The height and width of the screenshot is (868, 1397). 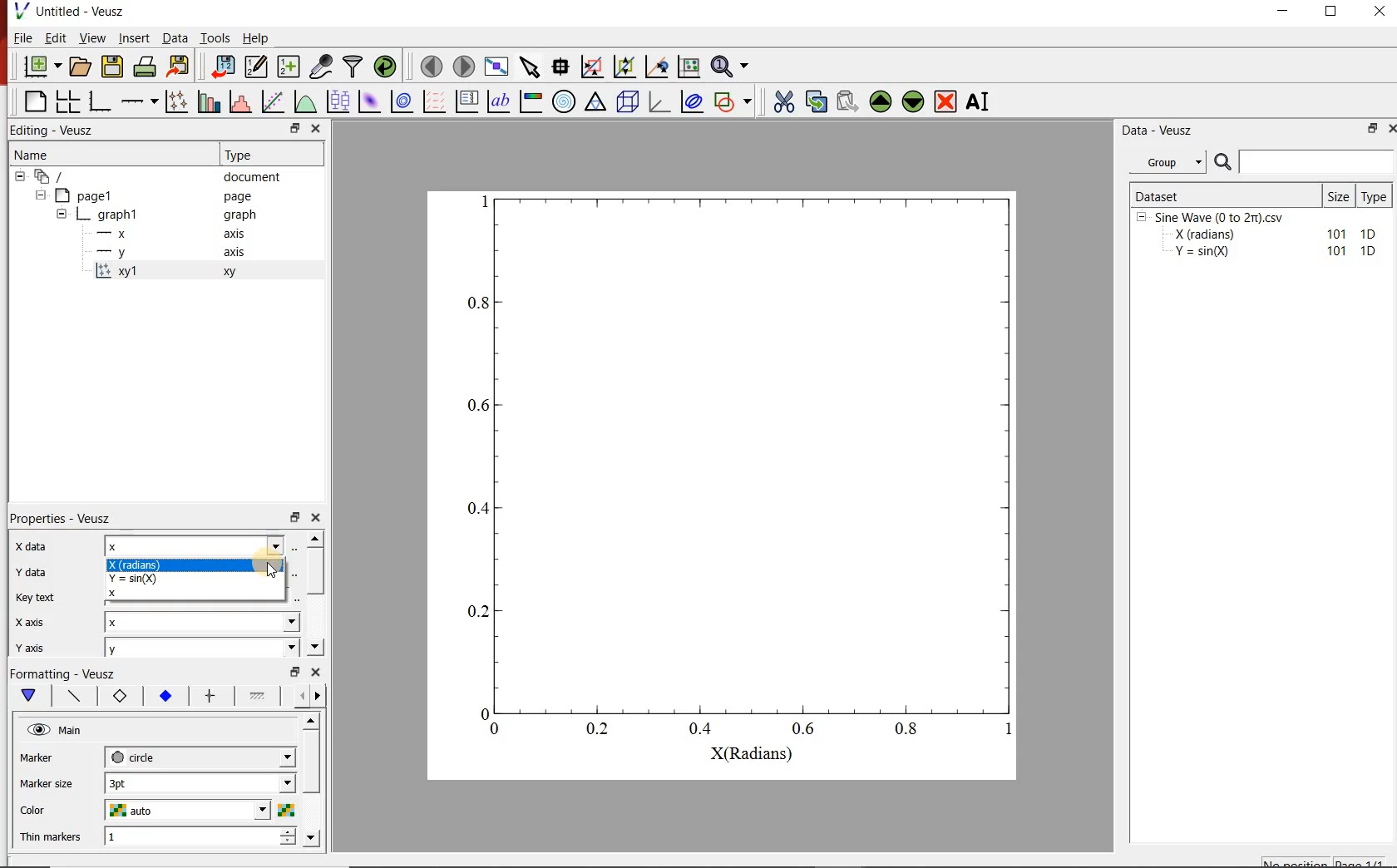 I want to click on Search, so click(x=1305, y=162).